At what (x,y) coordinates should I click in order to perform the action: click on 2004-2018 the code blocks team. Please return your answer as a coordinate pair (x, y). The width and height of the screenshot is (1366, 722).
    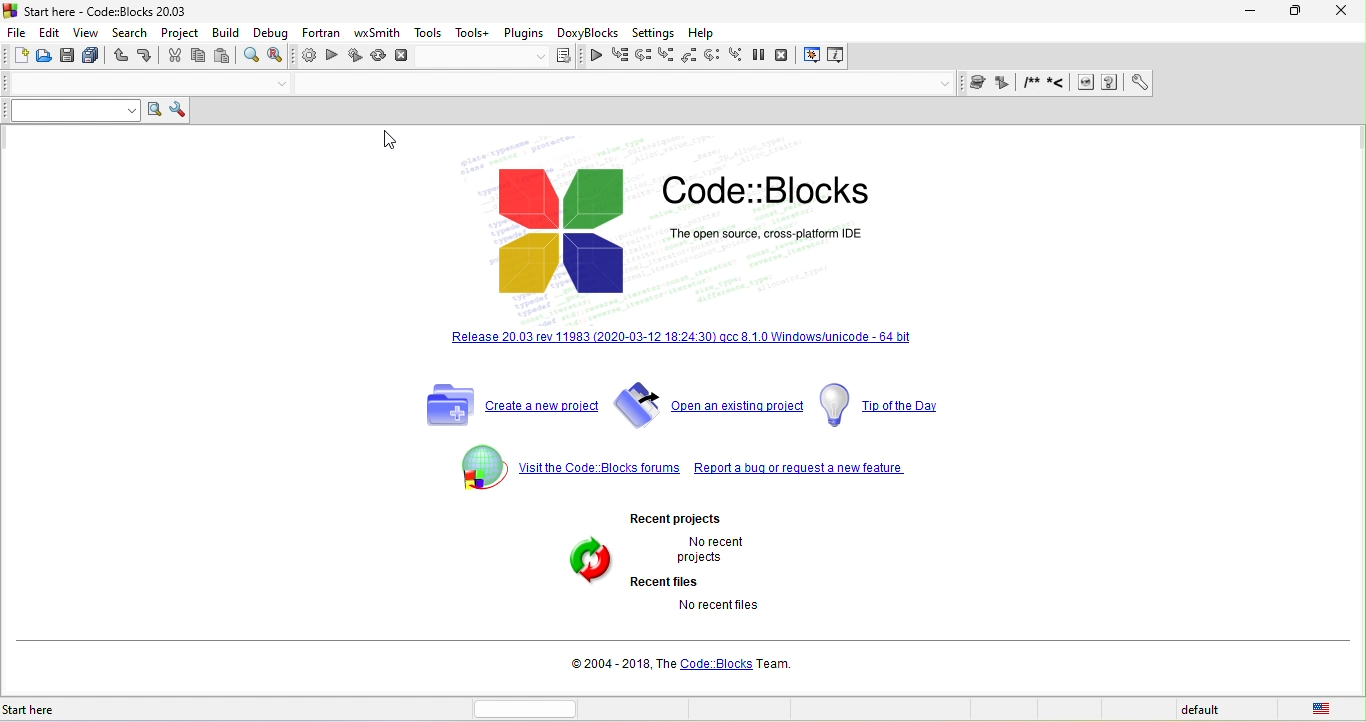
    Looking at the image, I should click on (677, 667).